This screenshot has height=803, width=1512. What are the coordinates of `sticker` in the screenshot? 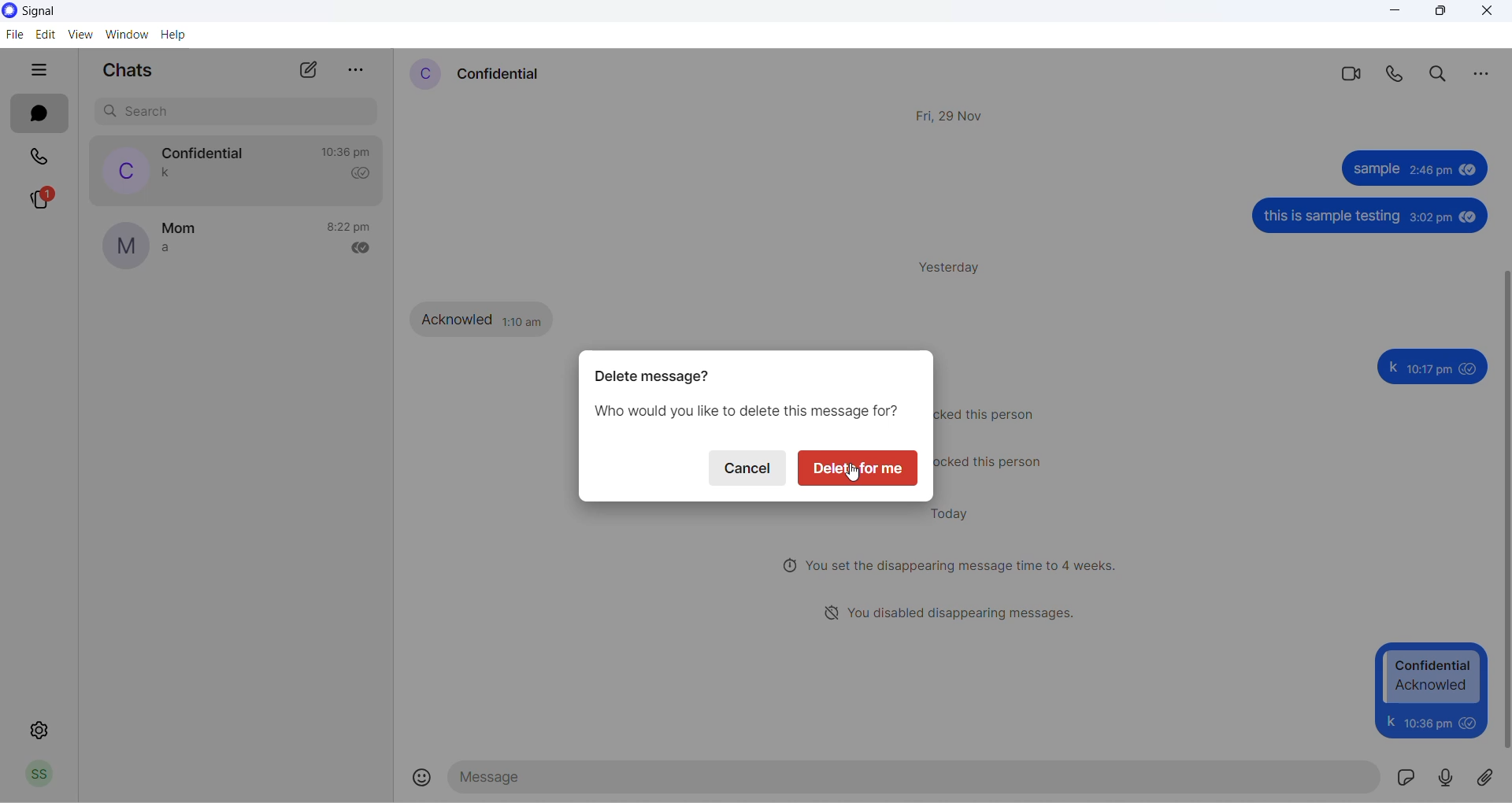 It's located at (1404, 776).